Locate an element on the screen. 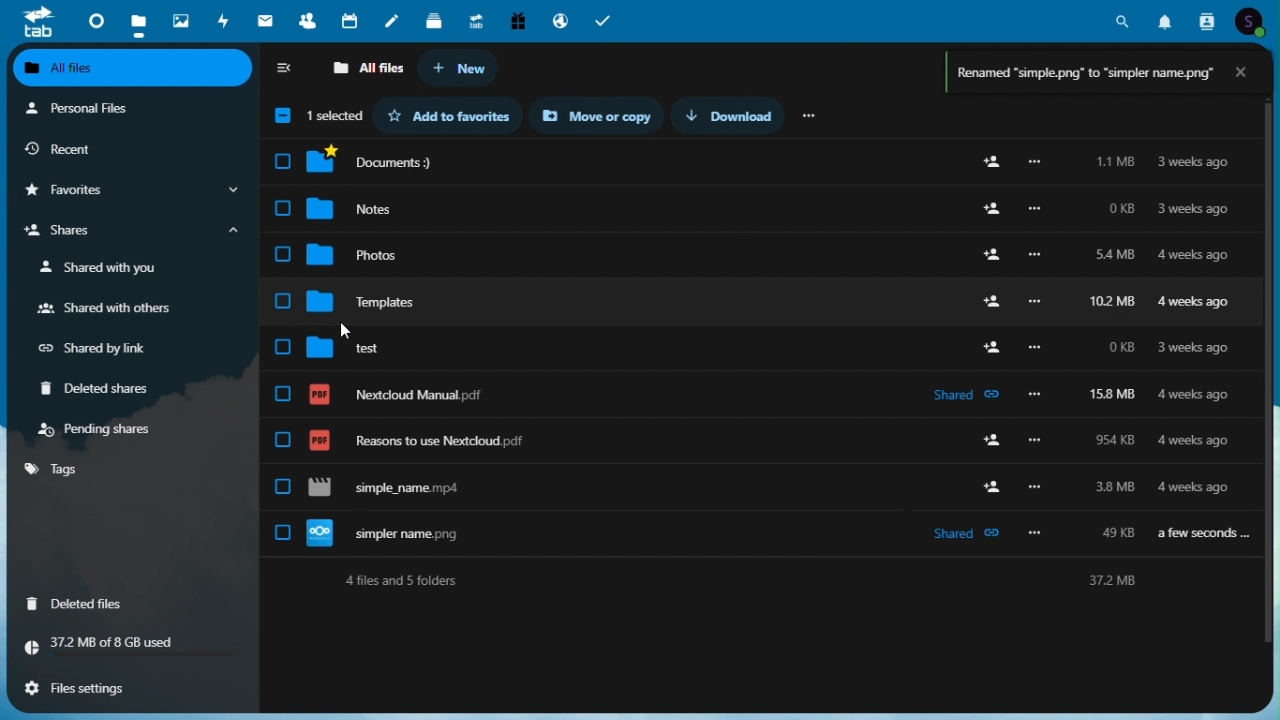 The height and width of the screenshot is (720, 1280). Documents:) 1.1 MB 3 weeks ago is located at coordinates (762, 162).